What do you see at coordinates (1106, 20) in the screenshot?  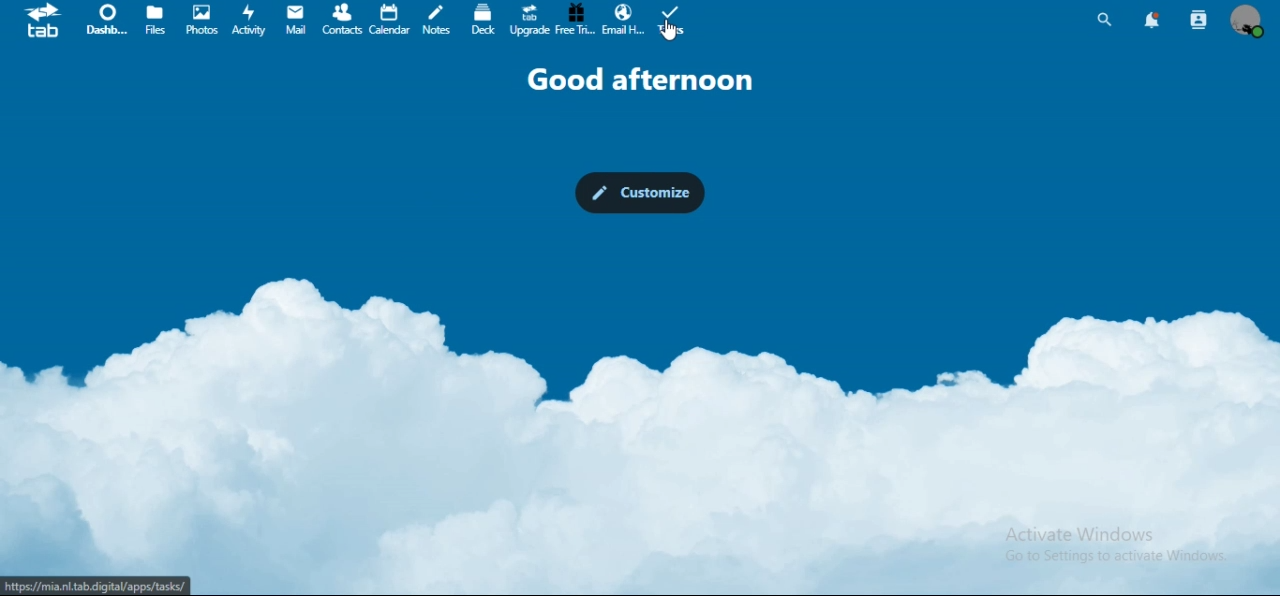 I see `search` at bounding box center [1106, 20].